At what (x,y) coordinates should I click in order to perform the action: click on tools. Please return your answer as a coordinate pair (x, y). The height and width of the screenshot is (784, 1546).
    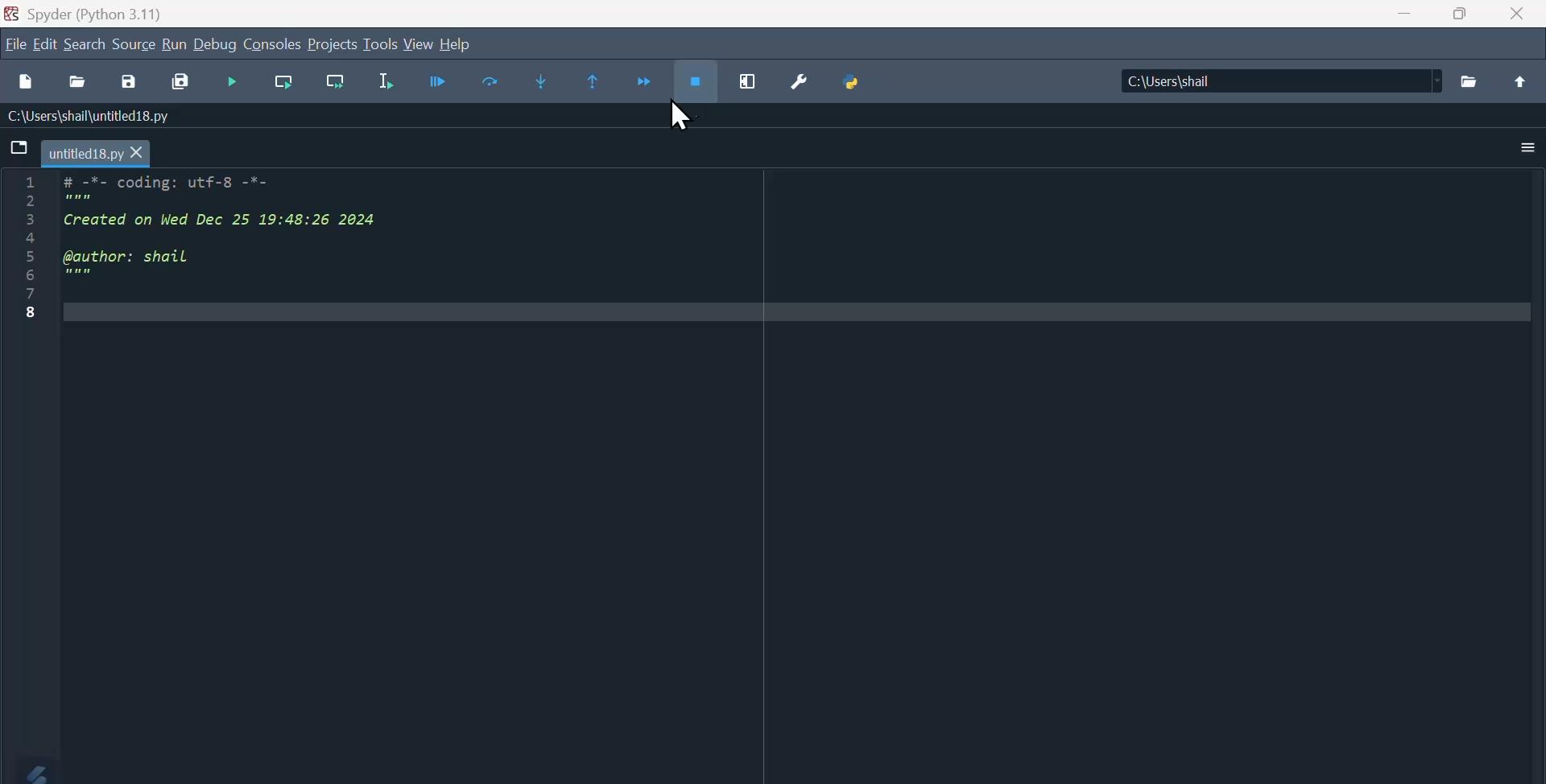
    Looking at the image, I should click on (381, 46).